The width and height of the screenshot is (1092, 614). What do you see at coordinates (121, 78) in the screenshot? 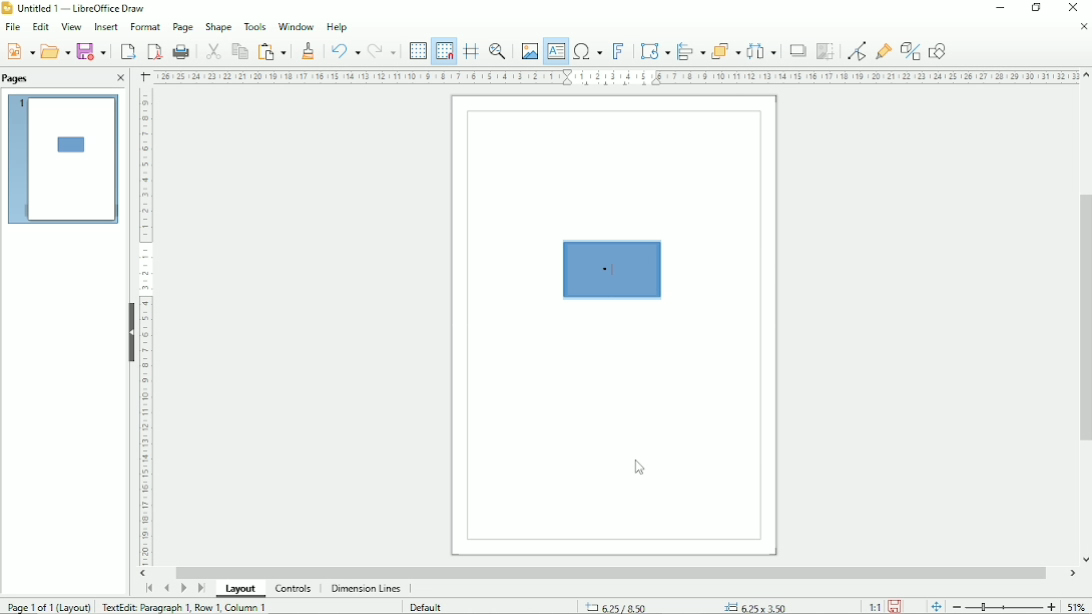
I see `Close` at bounding box center [121, 78].